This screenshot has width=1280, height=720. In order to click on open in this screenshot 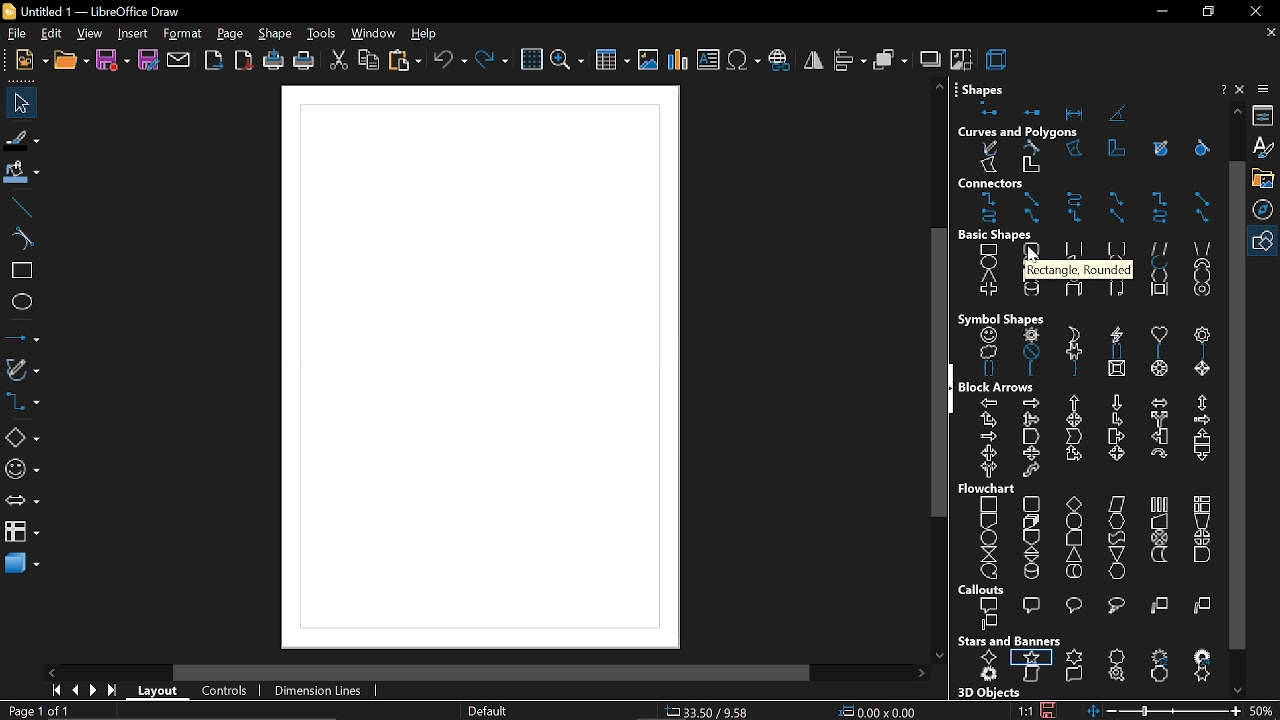, I will do `click(70, 61)`.